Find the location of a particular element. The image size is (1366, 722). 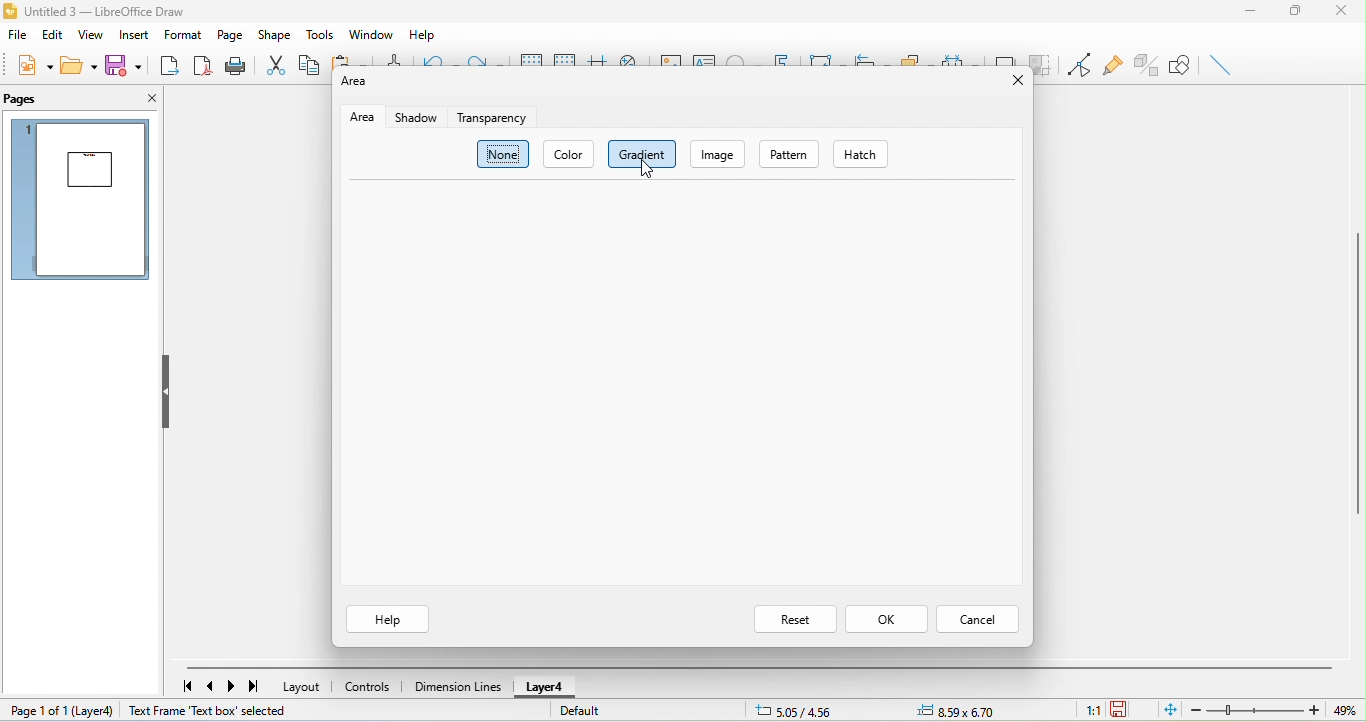

format is located at coordinates (180, 35).